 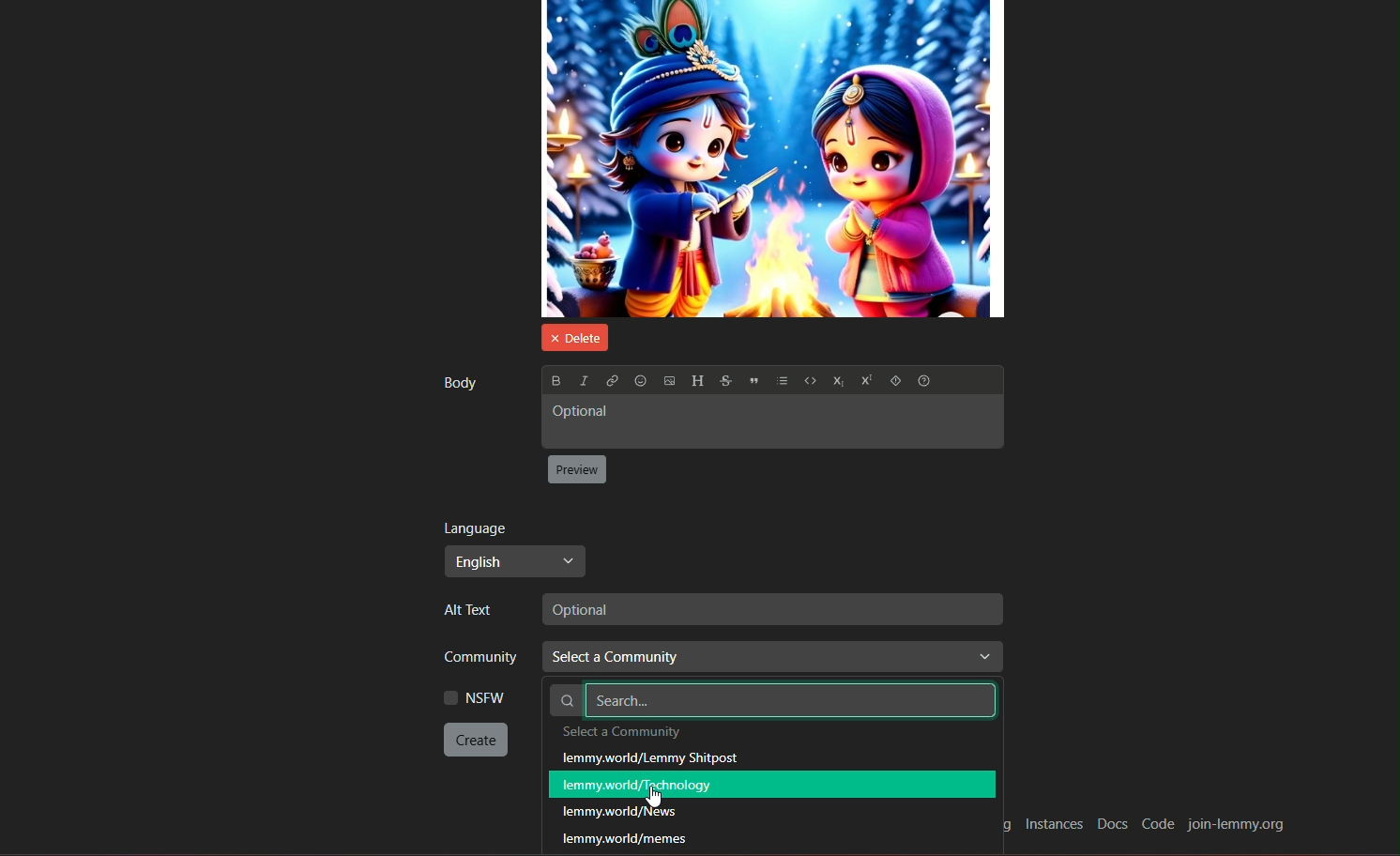 What do you see at coordinates (724, 381) in the screenshot?
I see `strikethrough` at bounding box center [724, 381].